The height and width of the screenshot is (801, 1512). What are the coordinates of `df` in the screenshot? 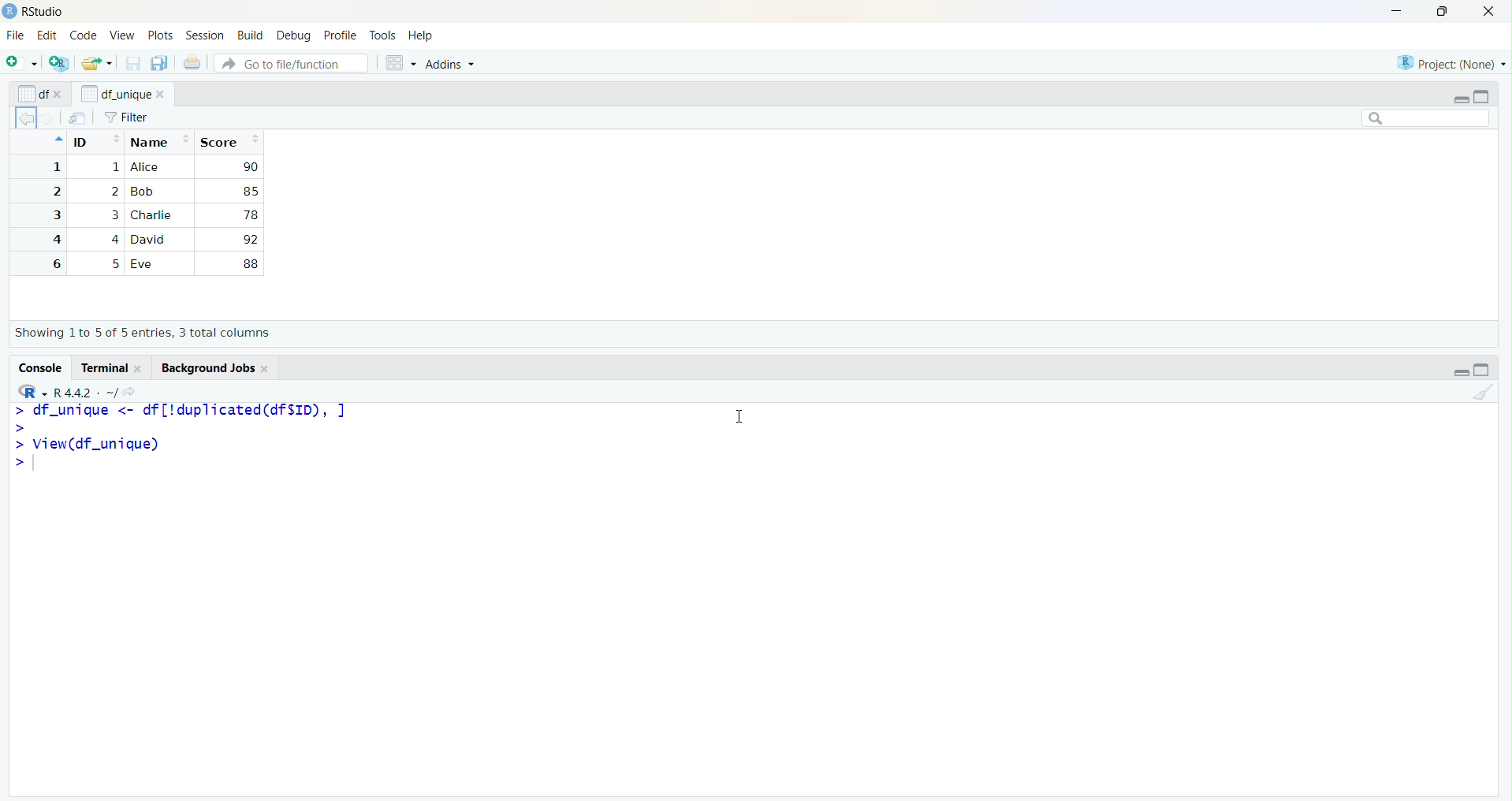 It's located at (32, 93).